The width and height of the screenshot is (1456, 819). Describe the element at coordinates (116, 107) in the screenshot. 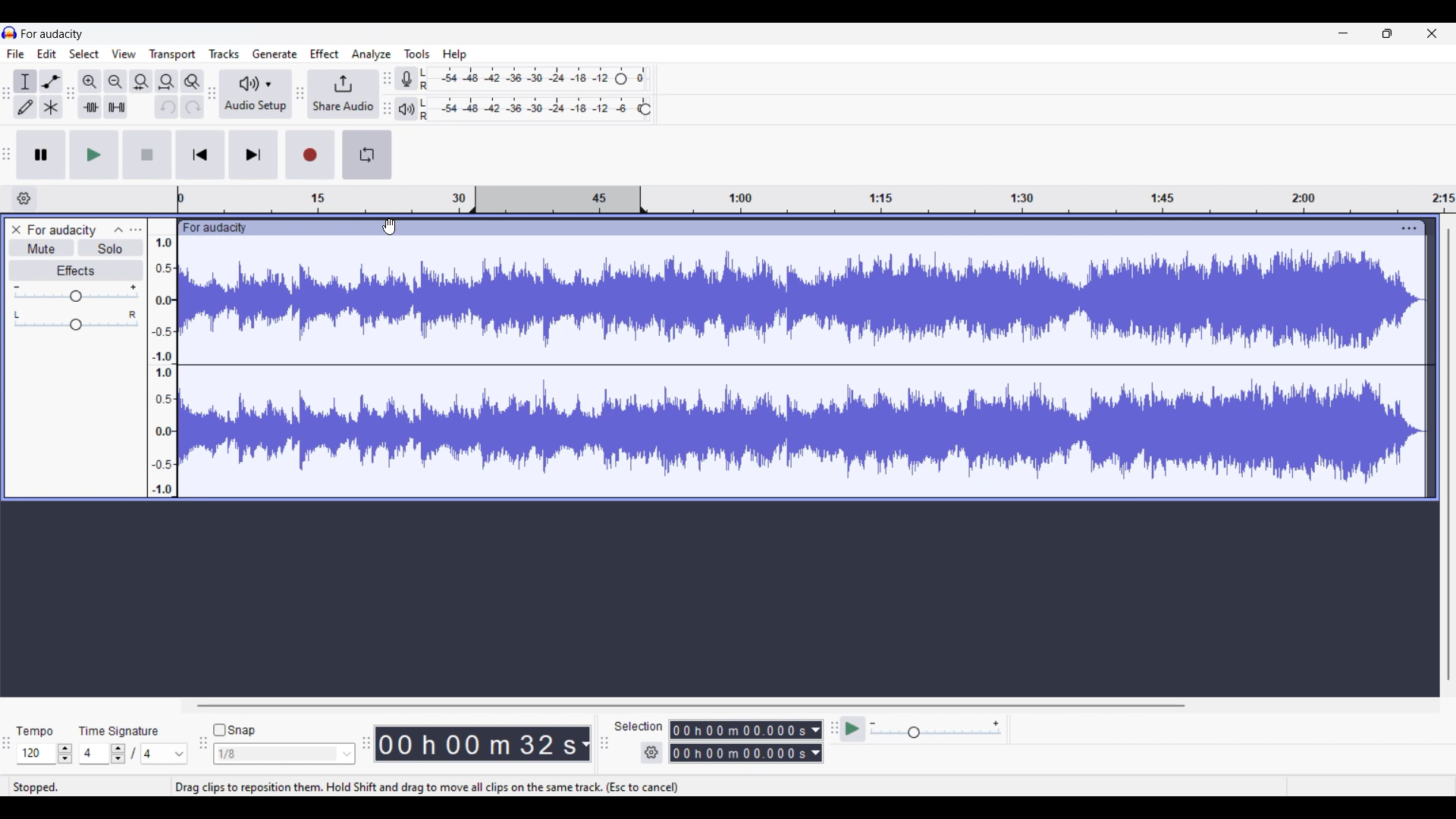

I see `Silence audio selection` at that location.